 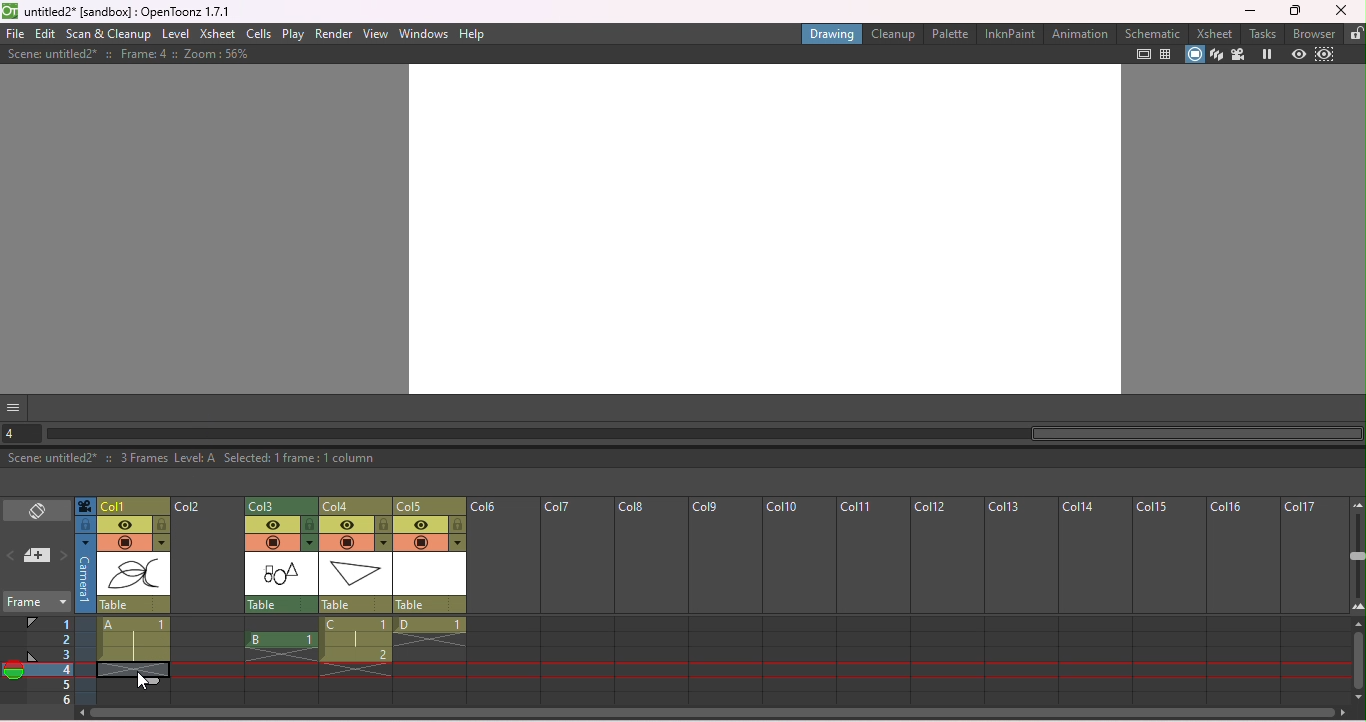 What do you see at coordinates (134, 605) in the screenshot?
I see `click to select the parent object` at bounding box center [134, 605].